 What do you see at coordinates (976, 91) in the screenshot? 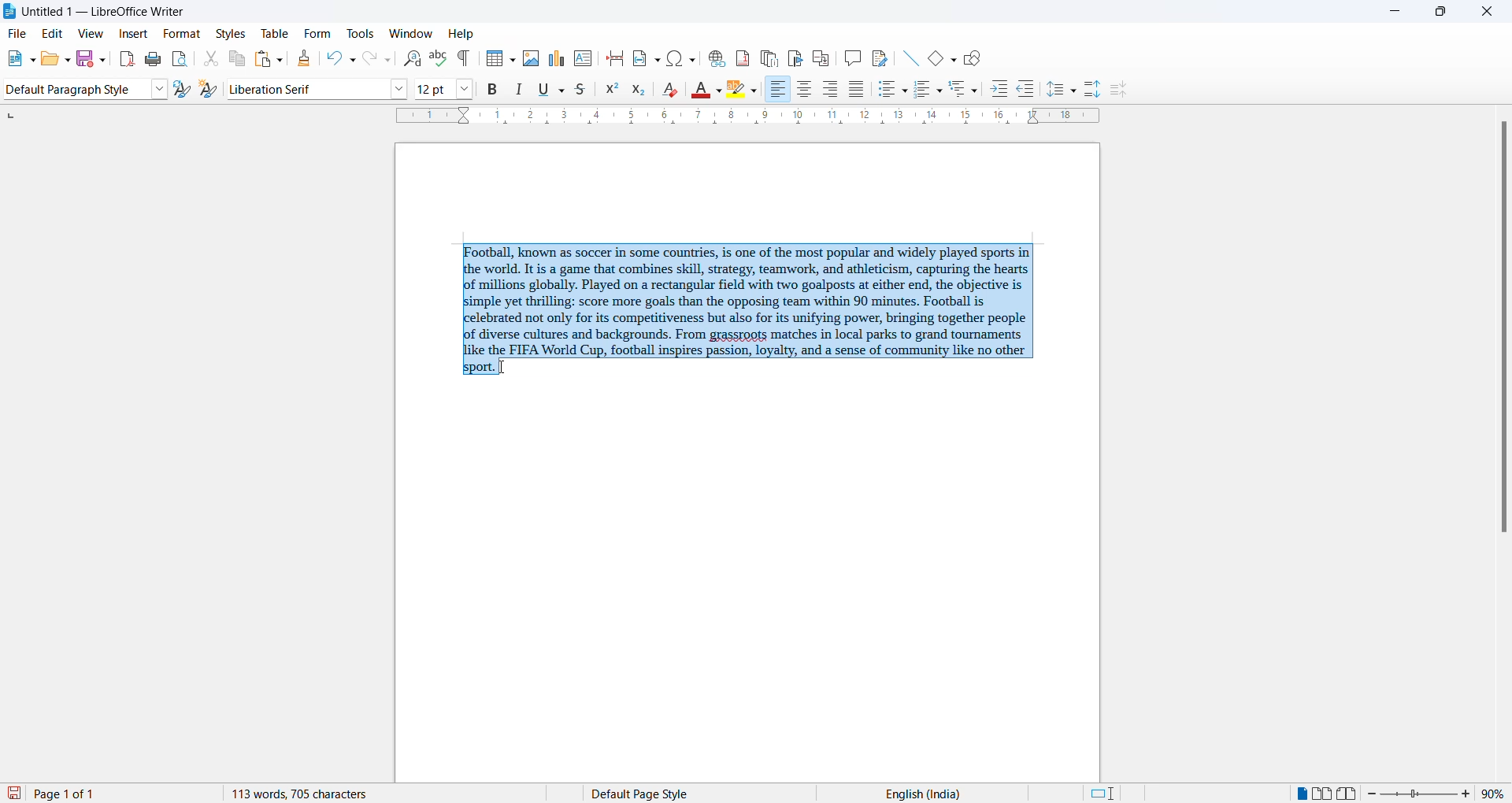
I see `outline format options` at bounding box center [976, 91].